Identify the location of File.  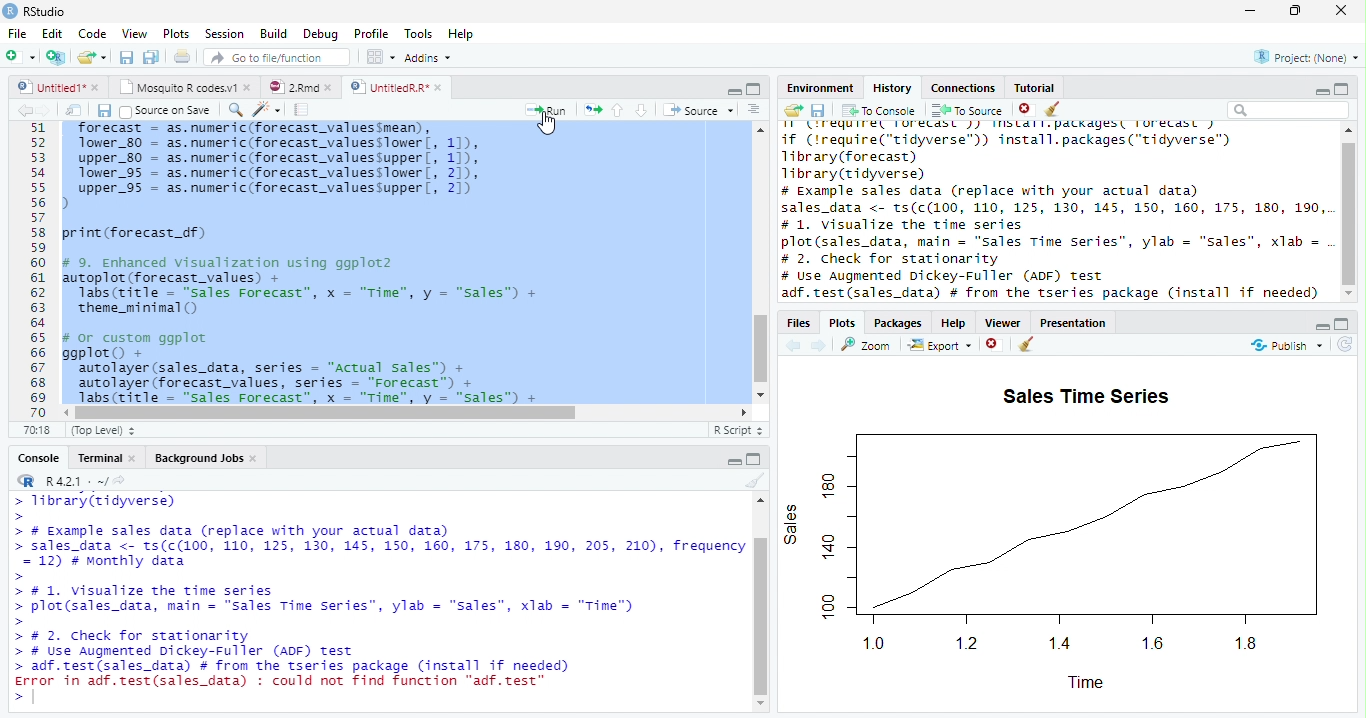
(17, 33).